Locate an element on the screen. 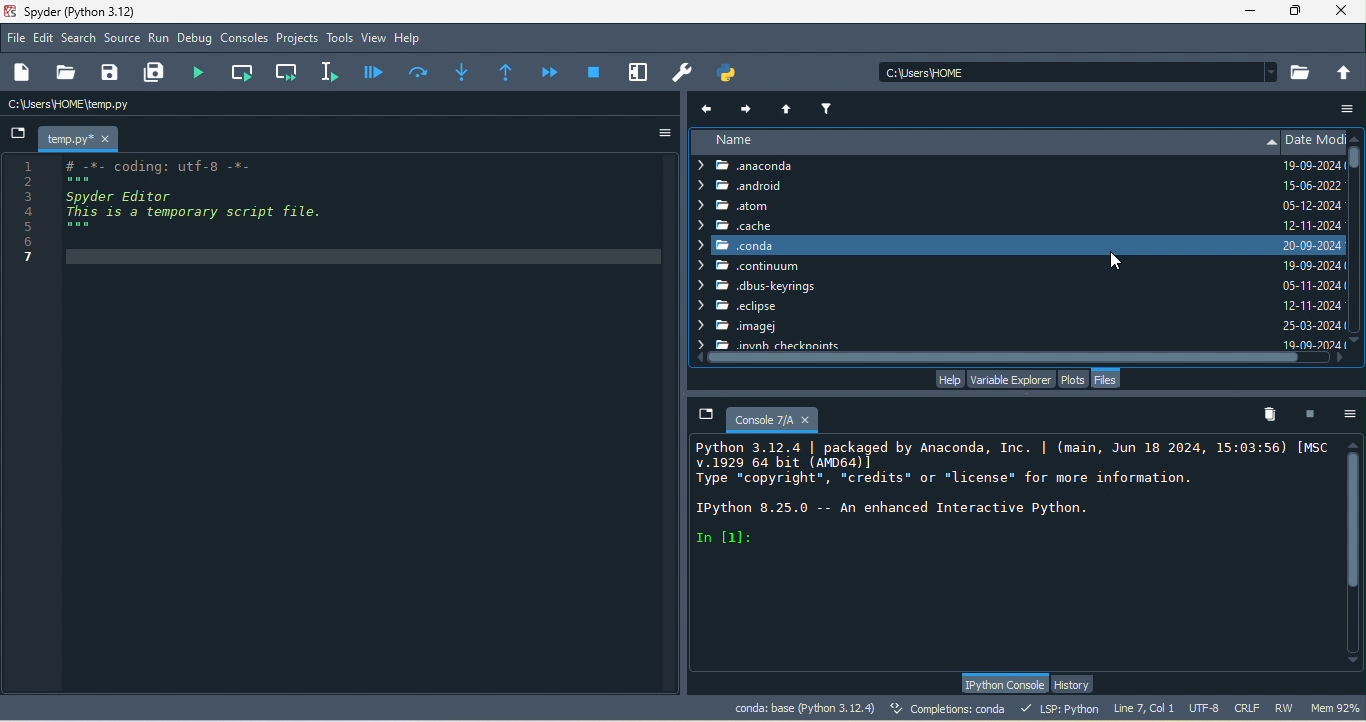 Image resolution: width=1366 pixels, height=722 pixels. dbus keyrings is located at coordinates (761, 287).